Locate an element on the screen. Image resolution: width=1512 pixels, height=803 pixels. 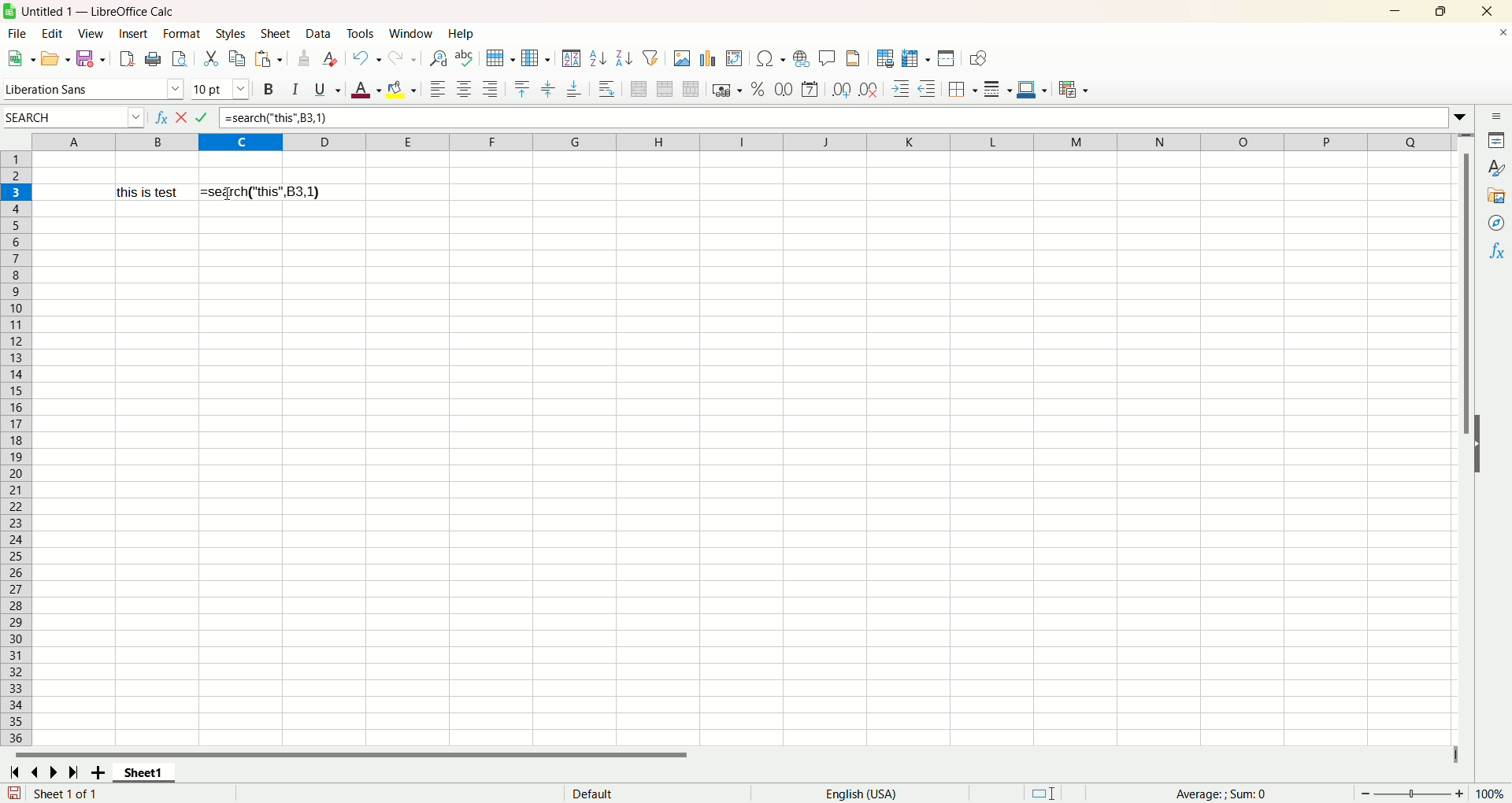
insert is located at coordinates (134, 33).